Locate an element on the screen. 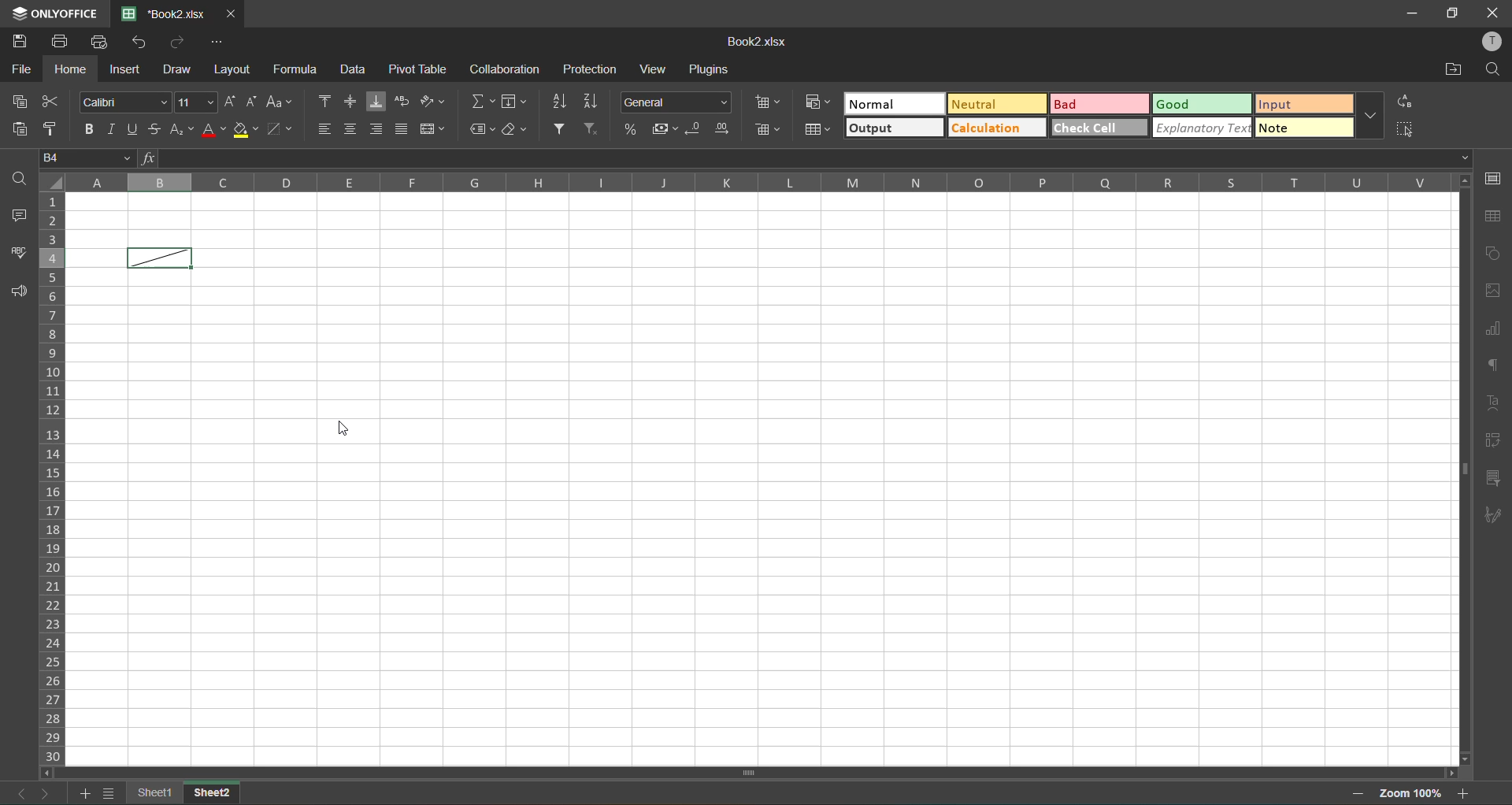 The image size is (1512, 805). add sheet is located at coordinates (89, 795).